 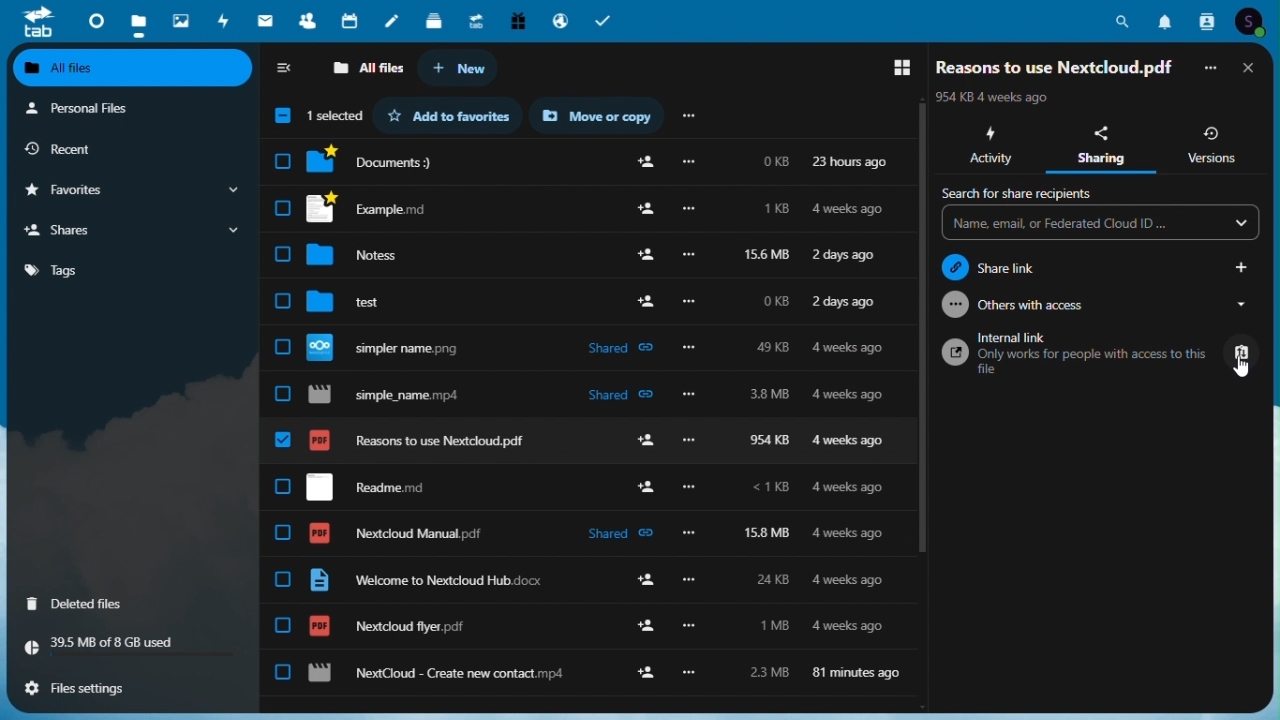 What do you see at coordinates (771, 671) in the screenshot?
I see `2.3 mb` at bounding box center [771, 671].